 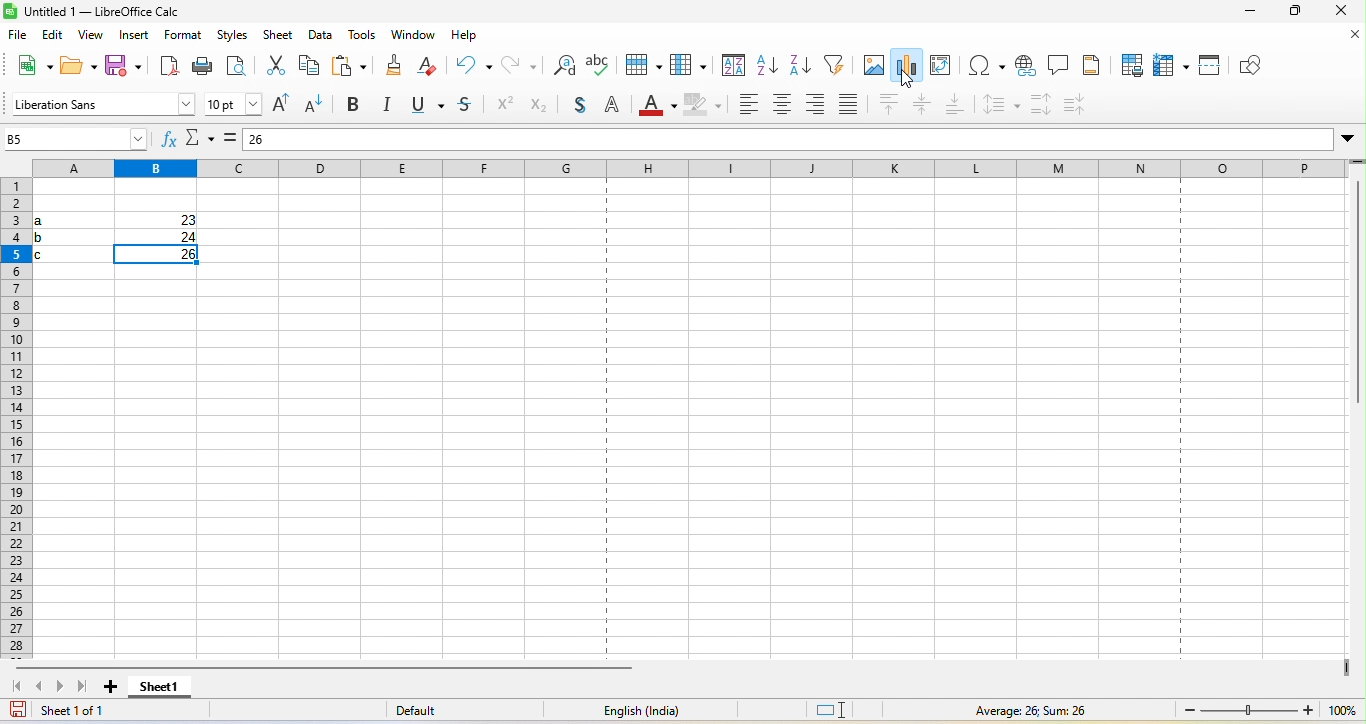 What do you see at coordinates (1244, 13) in the screenshot?
I see `minimize` at bounding box center [1244, 13].